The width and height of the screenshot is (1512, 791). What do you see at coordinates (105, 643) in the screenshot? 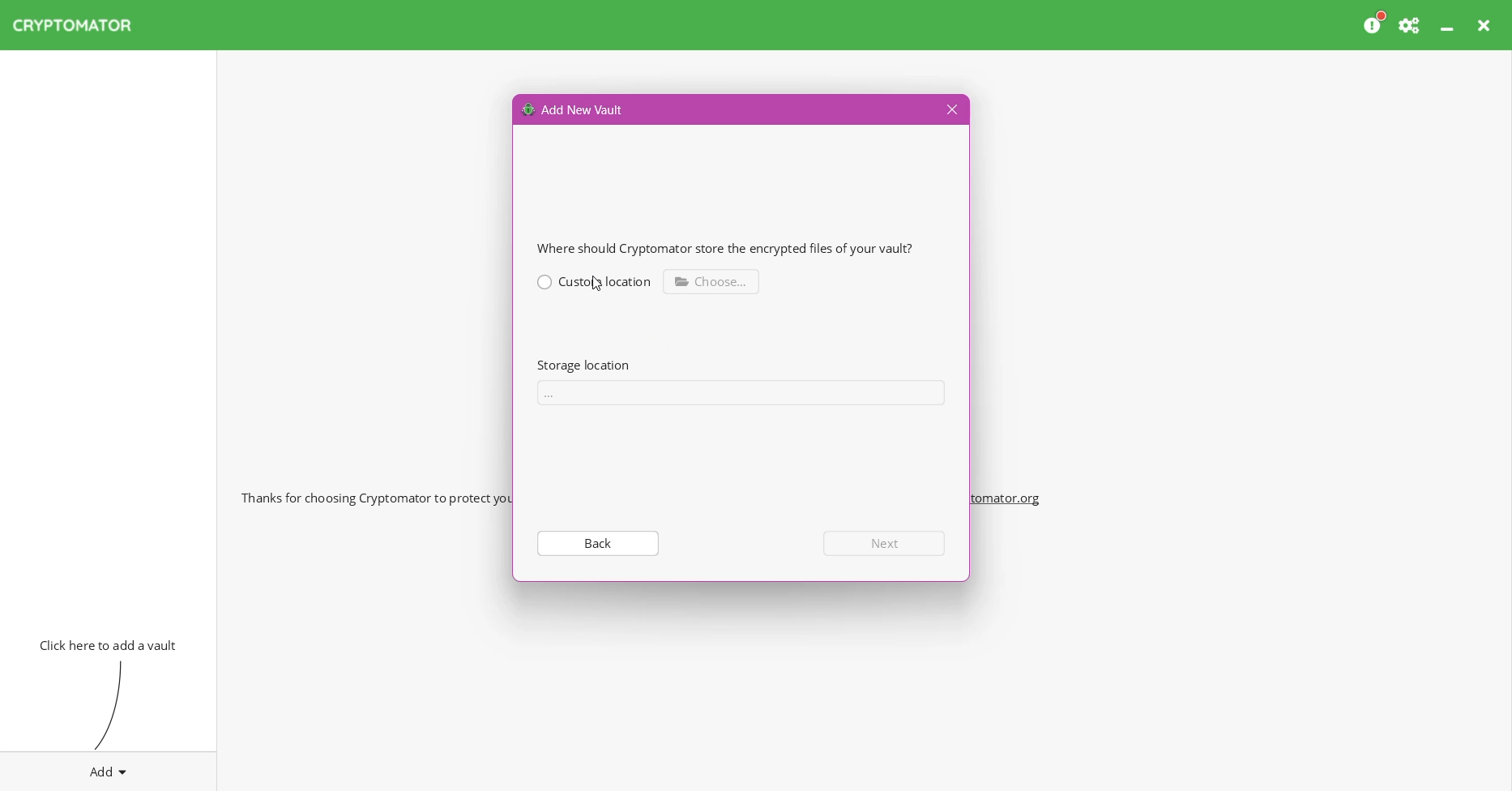
I see `Click here to add vault` at bounding box center [105, 643].